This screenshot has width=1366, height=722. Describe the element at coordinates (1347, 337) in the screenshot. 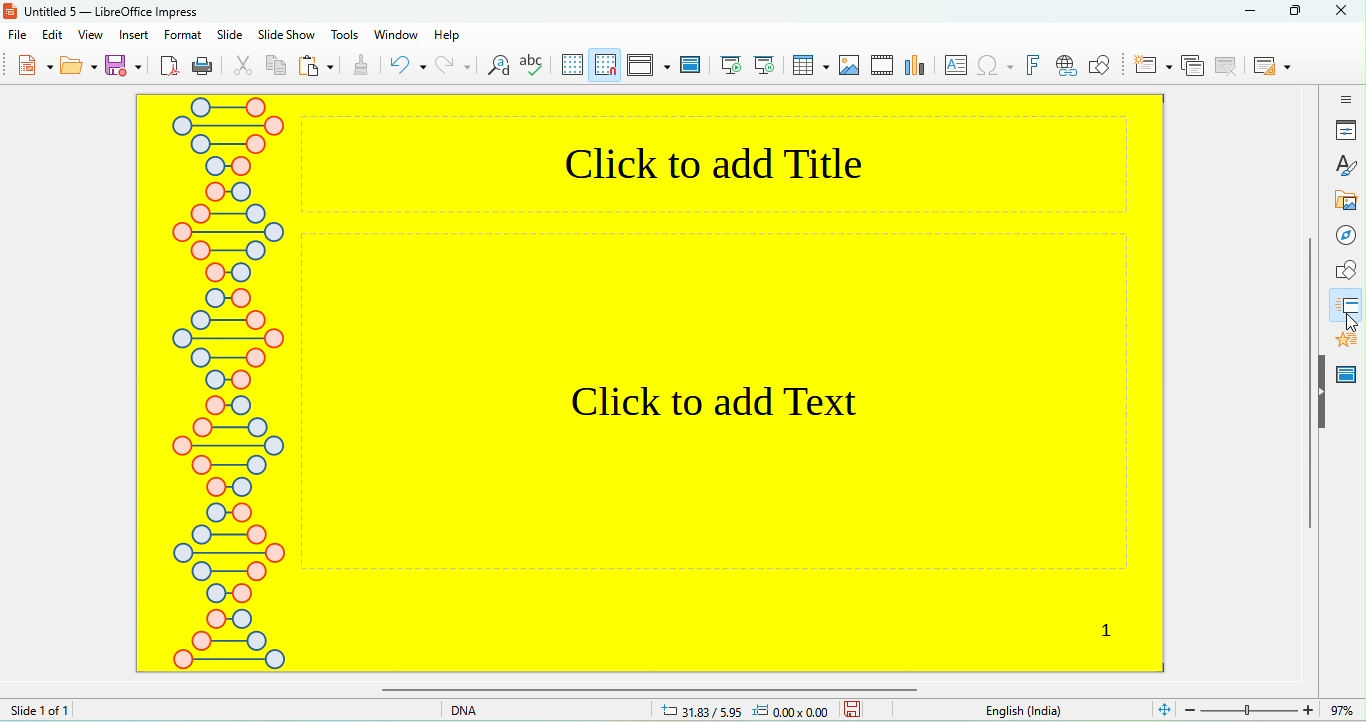

I see `annimation` at that location.